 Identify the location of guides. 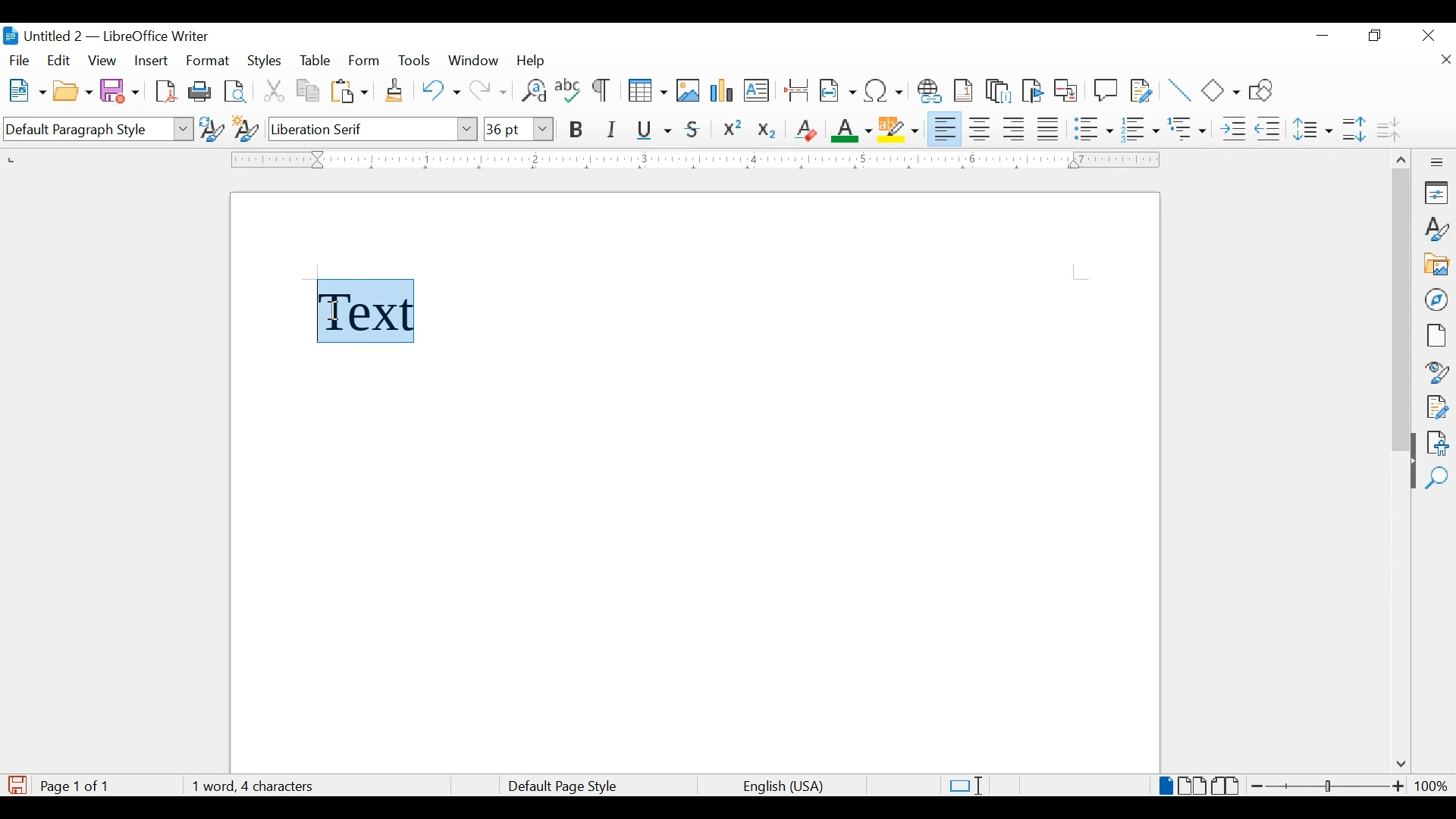
(1081, 272).